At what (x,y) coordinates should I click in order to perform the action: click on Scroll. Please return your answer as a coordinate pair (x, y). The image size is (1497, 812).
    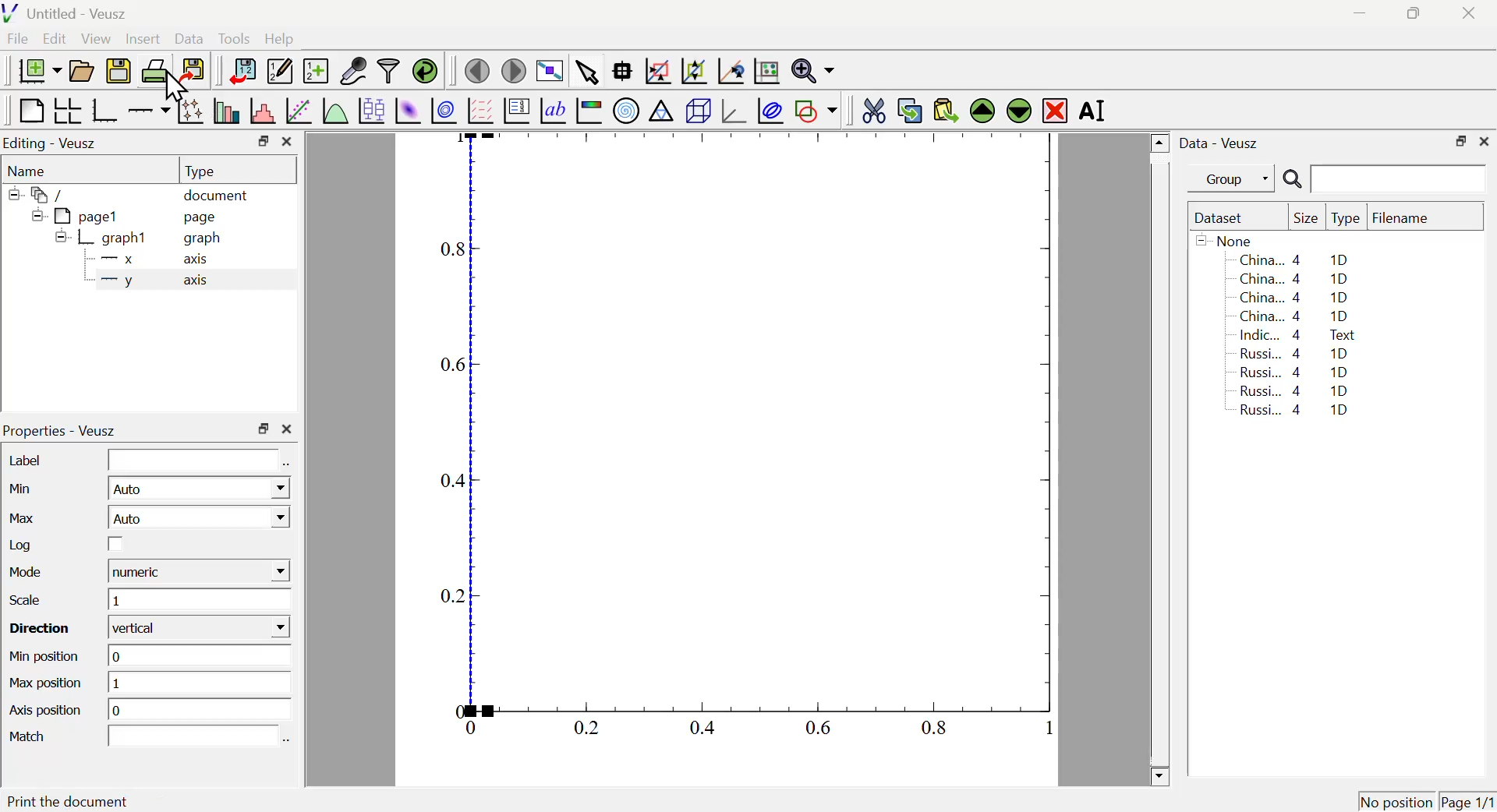
    Looking at the image, I should click on (1160, 461).